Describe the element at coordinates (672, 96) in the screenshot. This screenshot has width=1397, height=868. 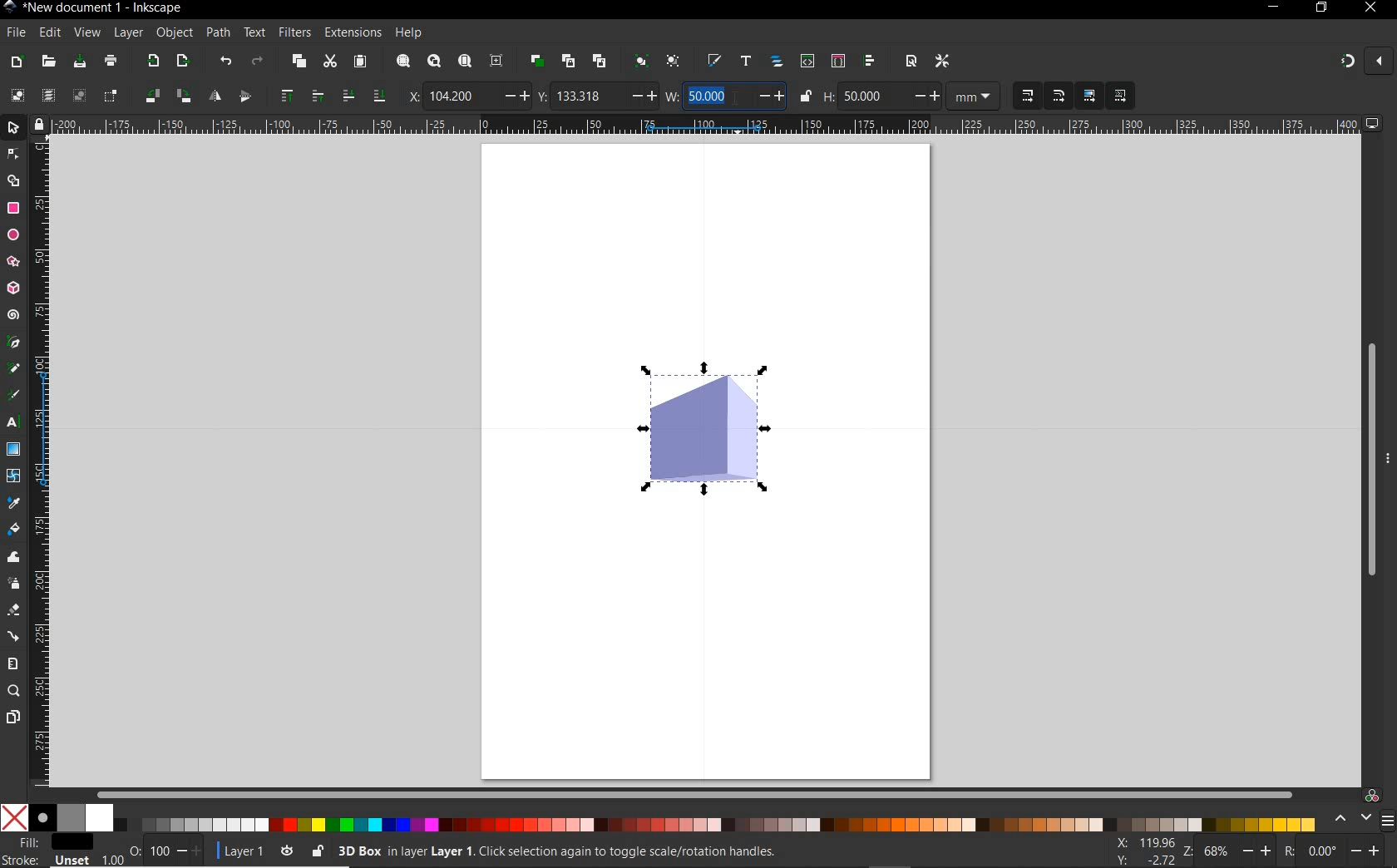
I see `w` at that location.